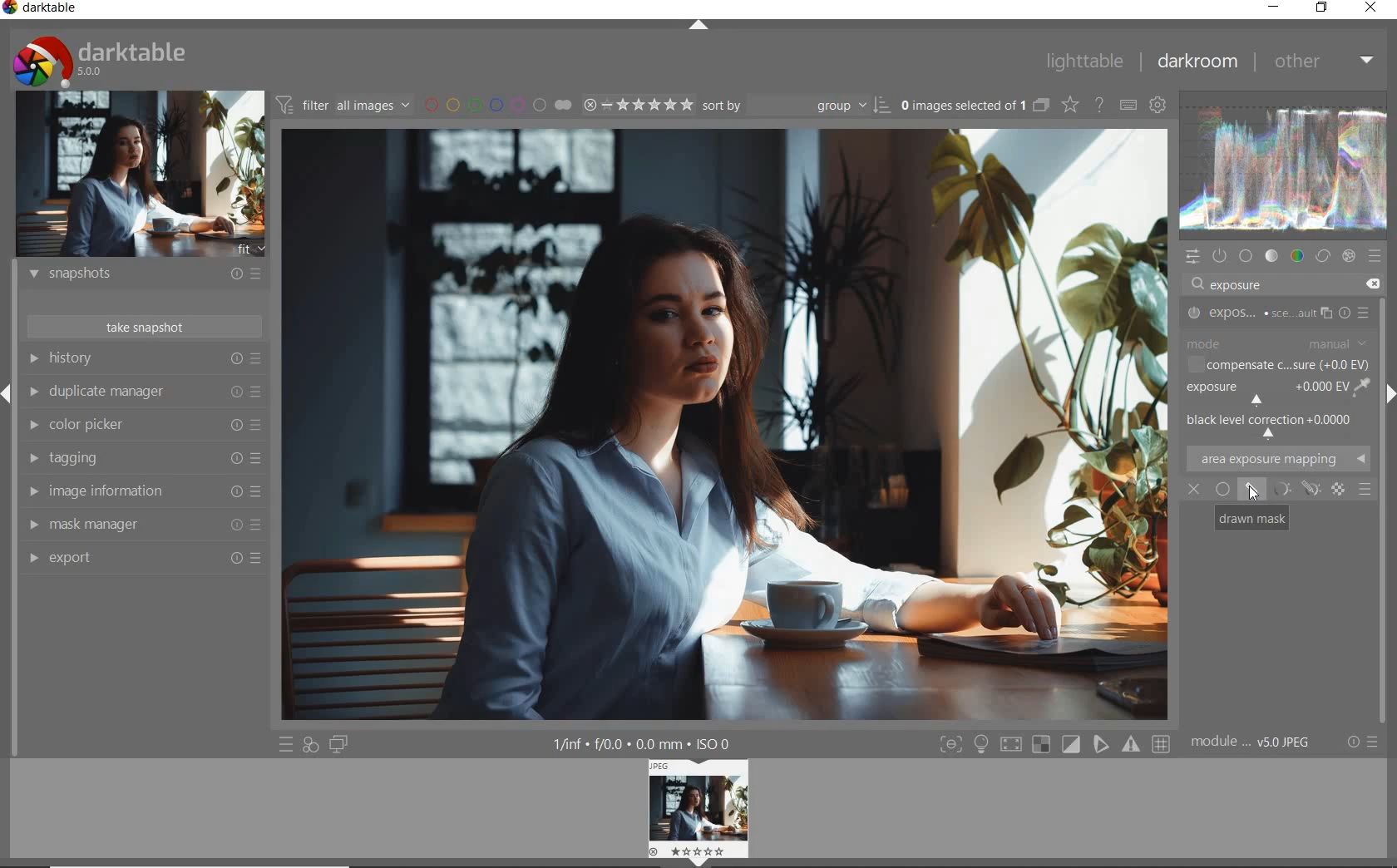 The height and width of the screenshot is (868, 1397). I want to click on snapshots, so click(147, 274).